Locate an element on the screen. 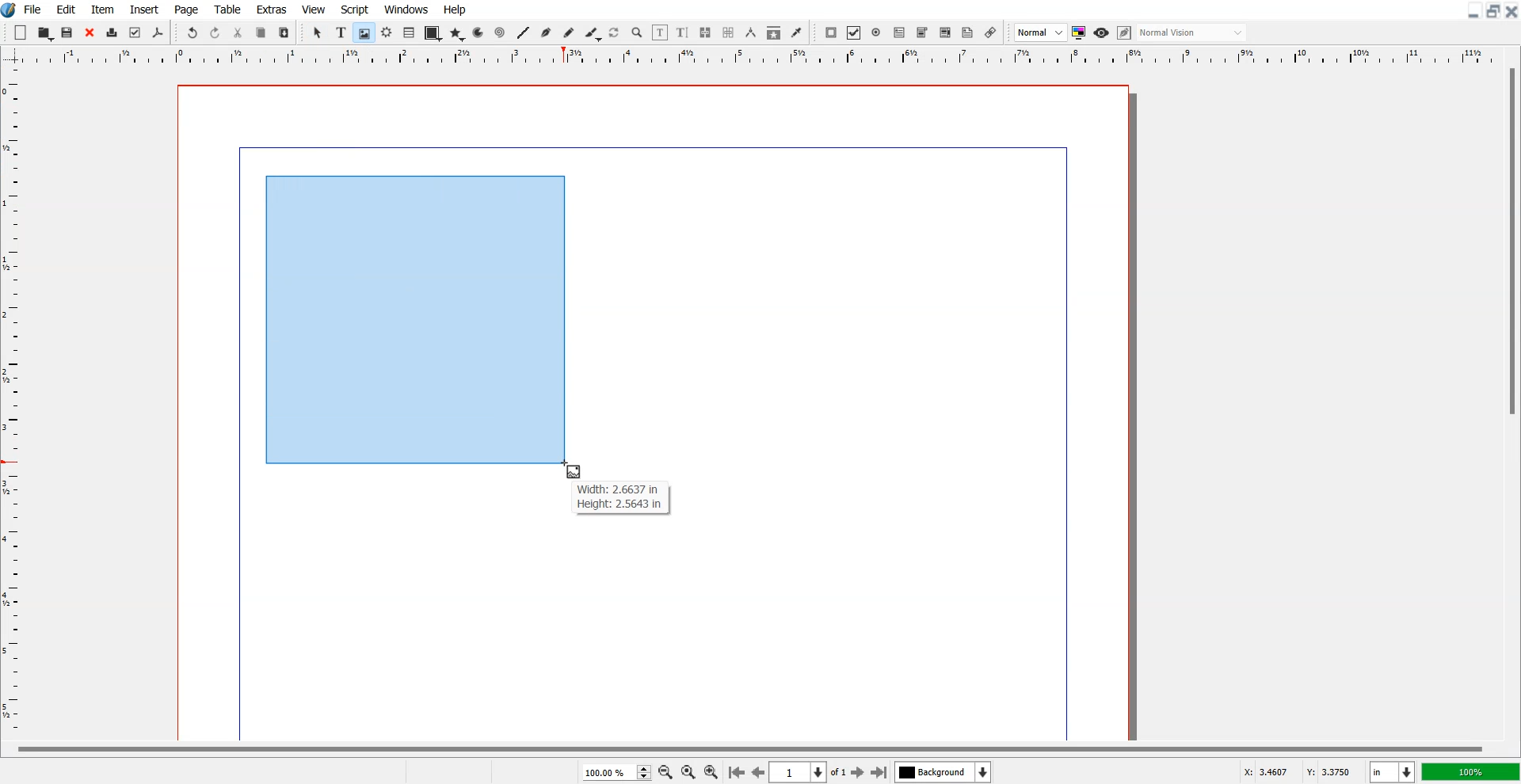  Close is located at coordinates (1511, 11).